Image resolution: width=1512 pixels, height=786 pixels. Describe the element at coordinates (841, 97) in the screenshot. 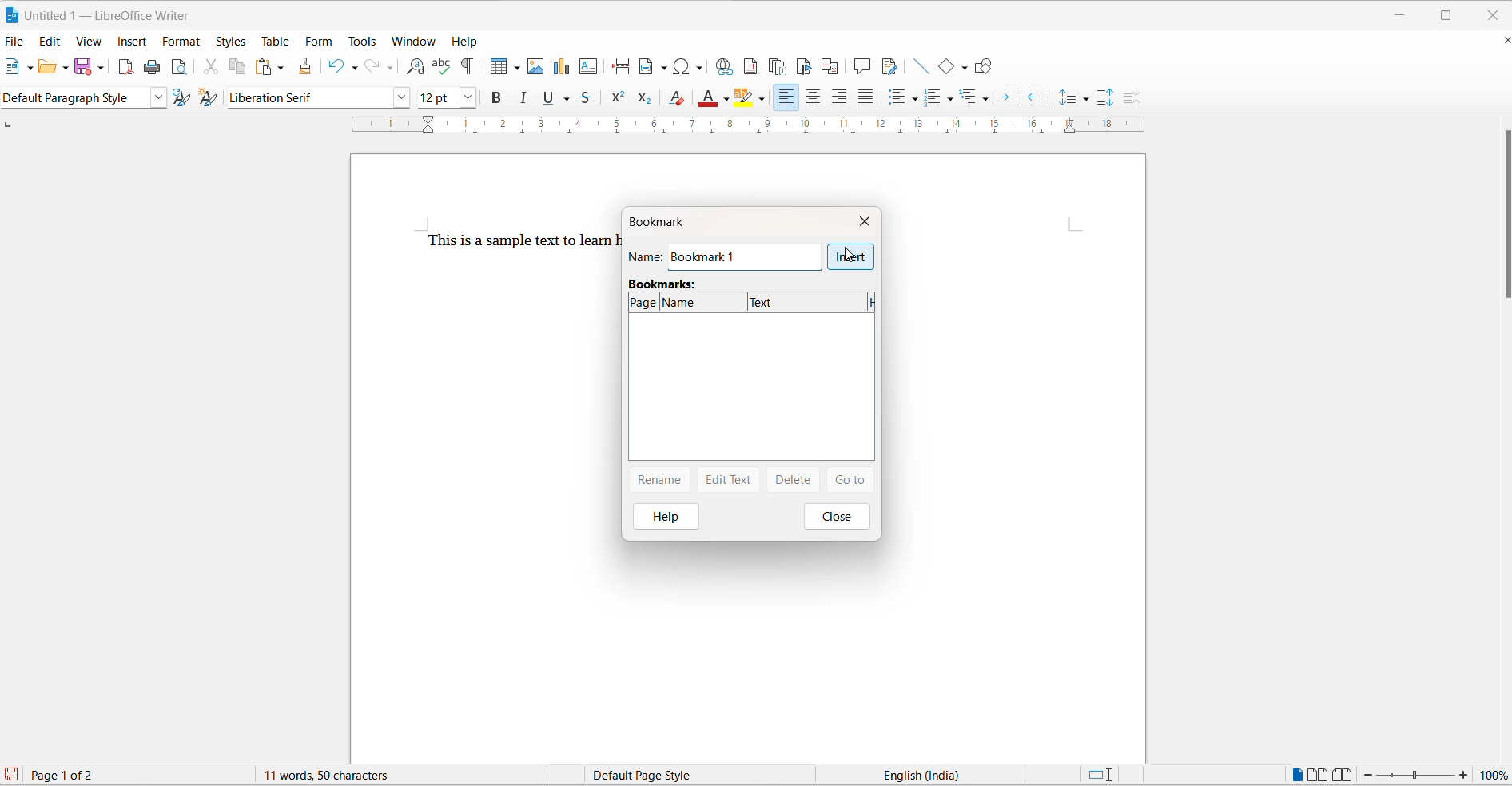

I see `text align left` at that location.